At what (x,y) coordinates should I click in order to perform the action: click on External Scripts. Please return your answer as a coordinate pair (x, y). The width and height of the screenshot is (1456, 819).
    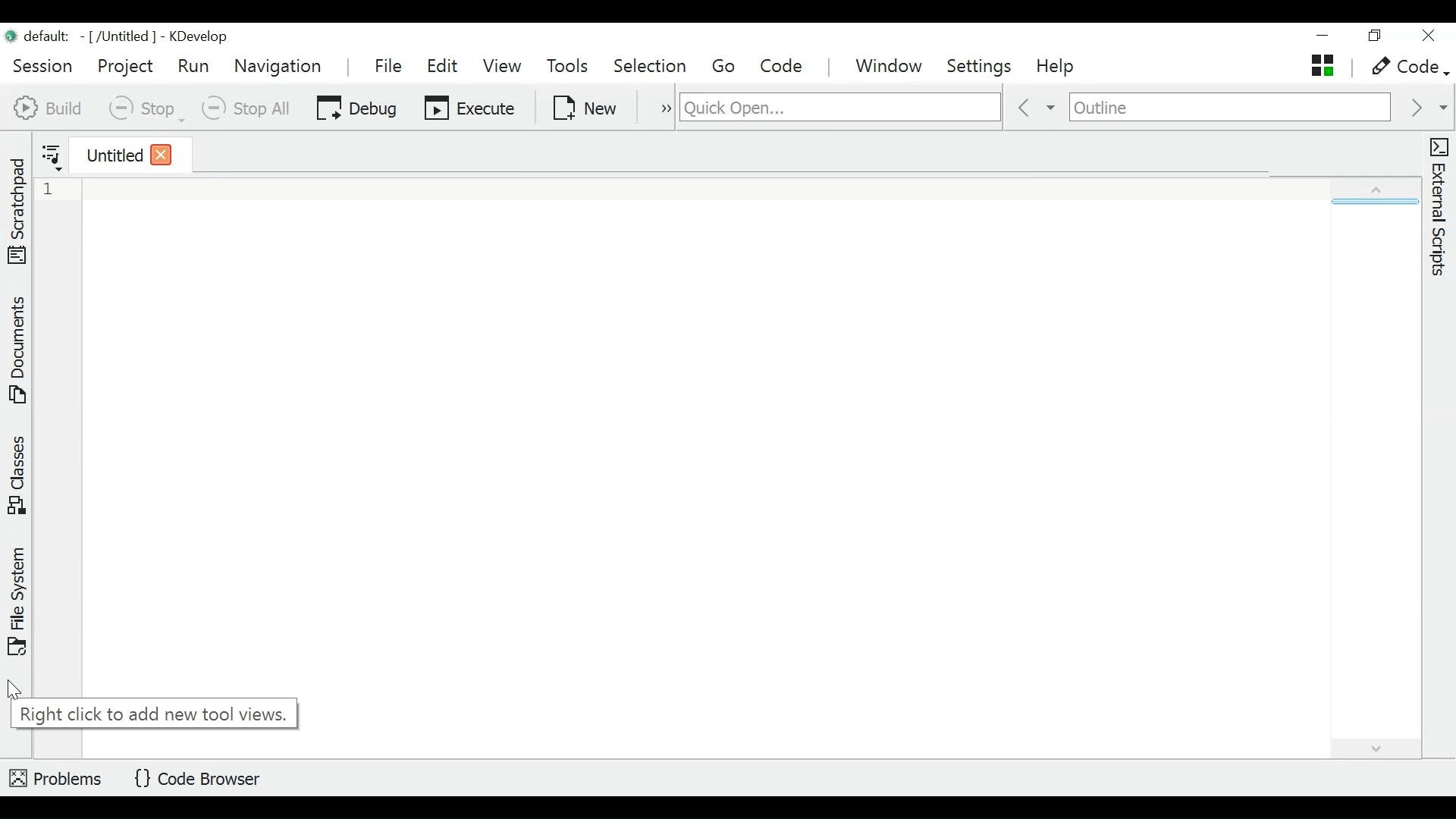
    Looking at the image, I should click on (1439, 208).